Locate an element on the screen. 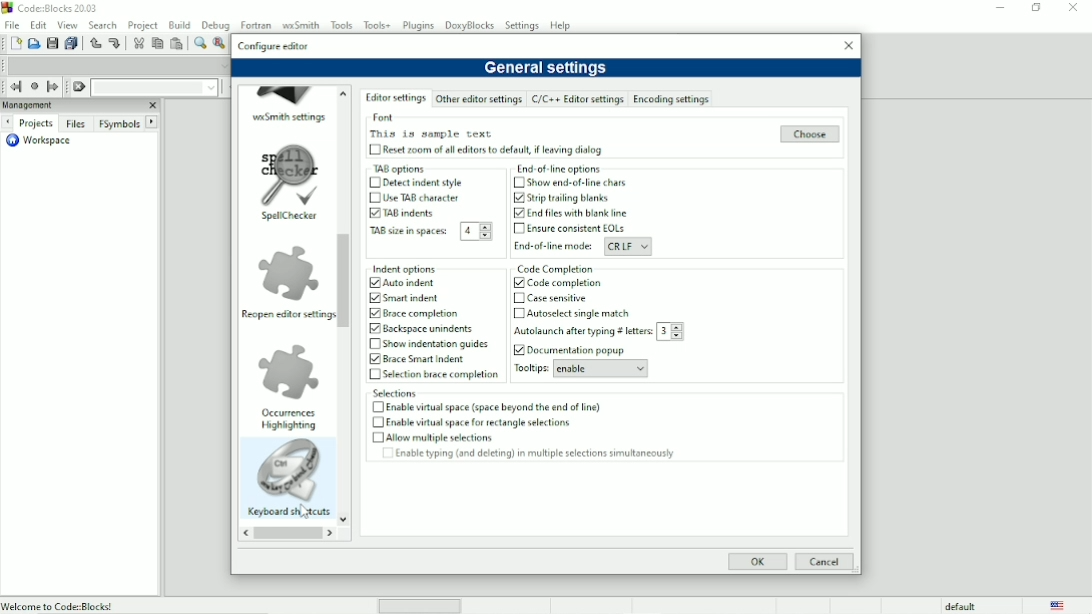  Choose is located at coordinates (811, 134).